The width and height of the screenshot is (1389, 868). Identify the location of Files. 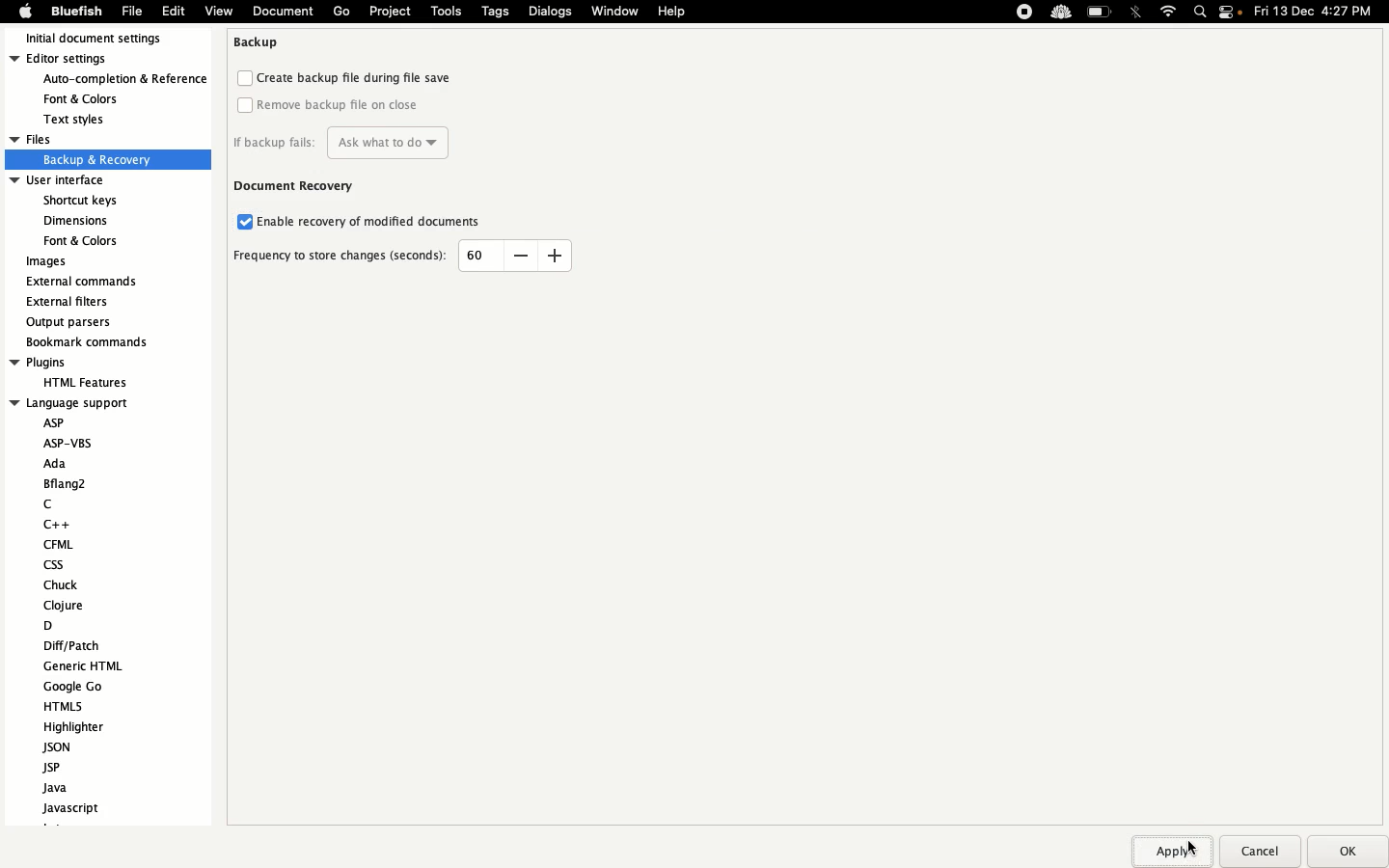
(91, 150).